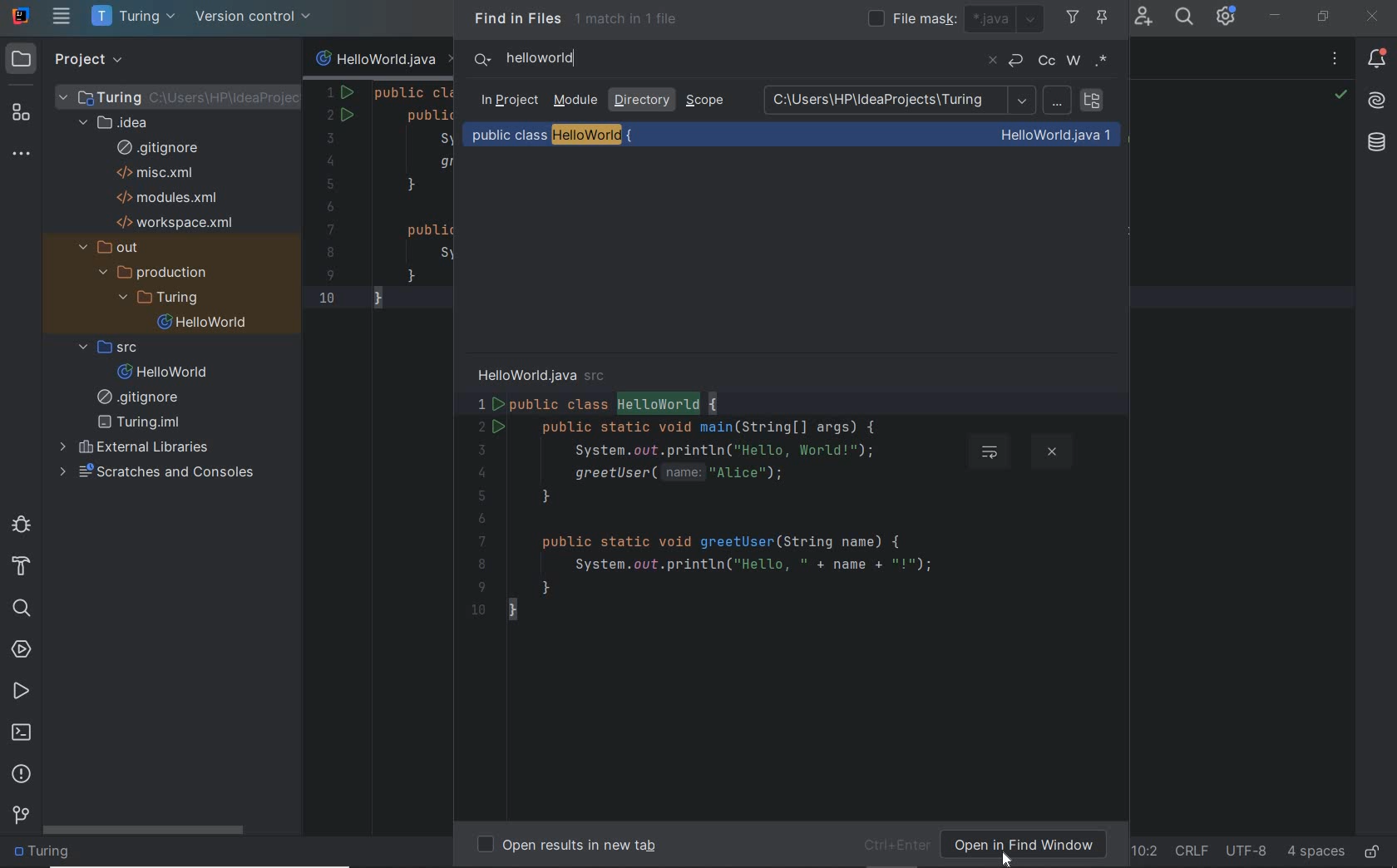 This screenshot has height=868, width=1397. I want to click on file encoding, so click(1247, 851).